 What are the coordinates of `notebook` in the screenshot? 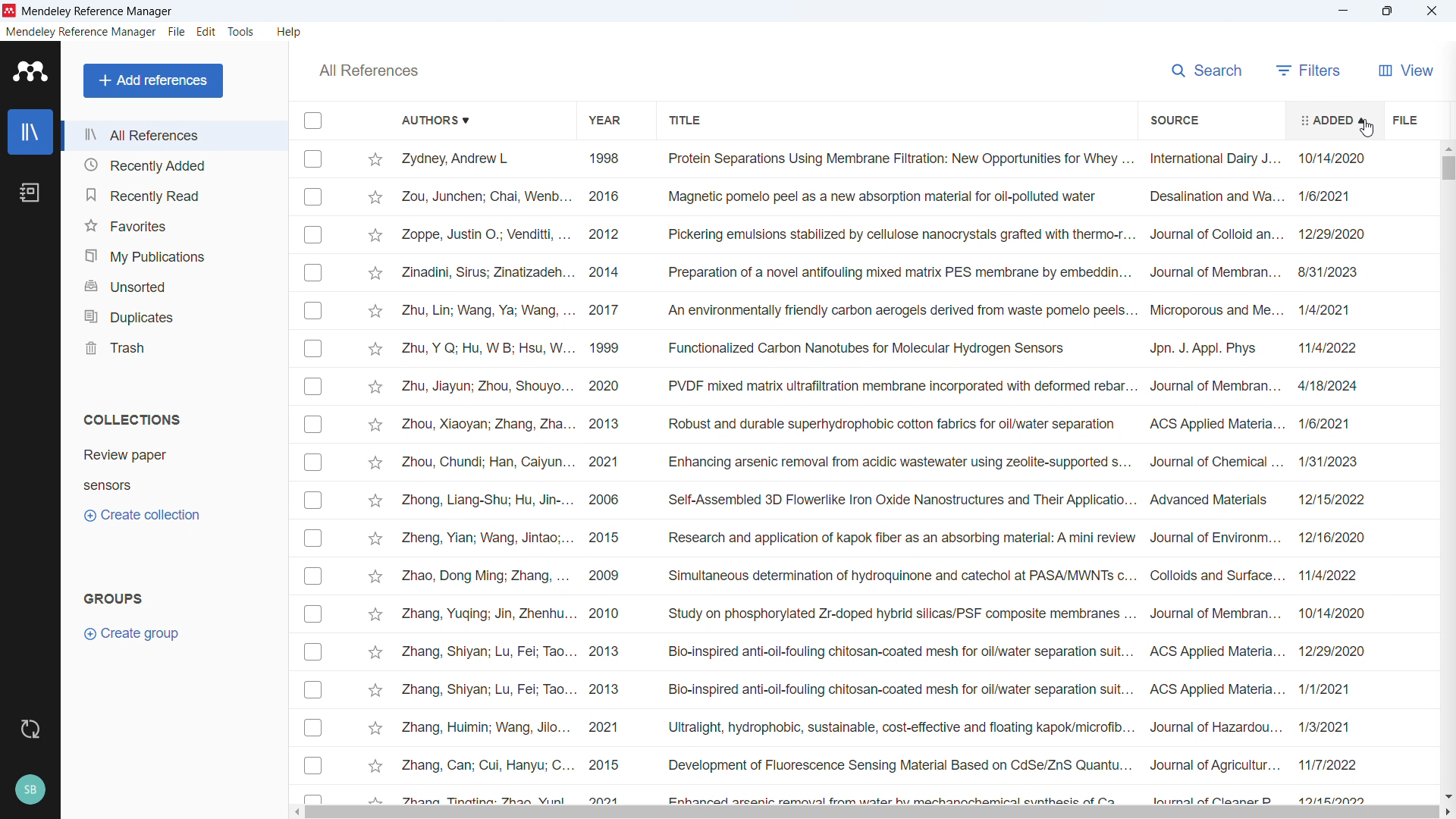 It's located at (32, 192).